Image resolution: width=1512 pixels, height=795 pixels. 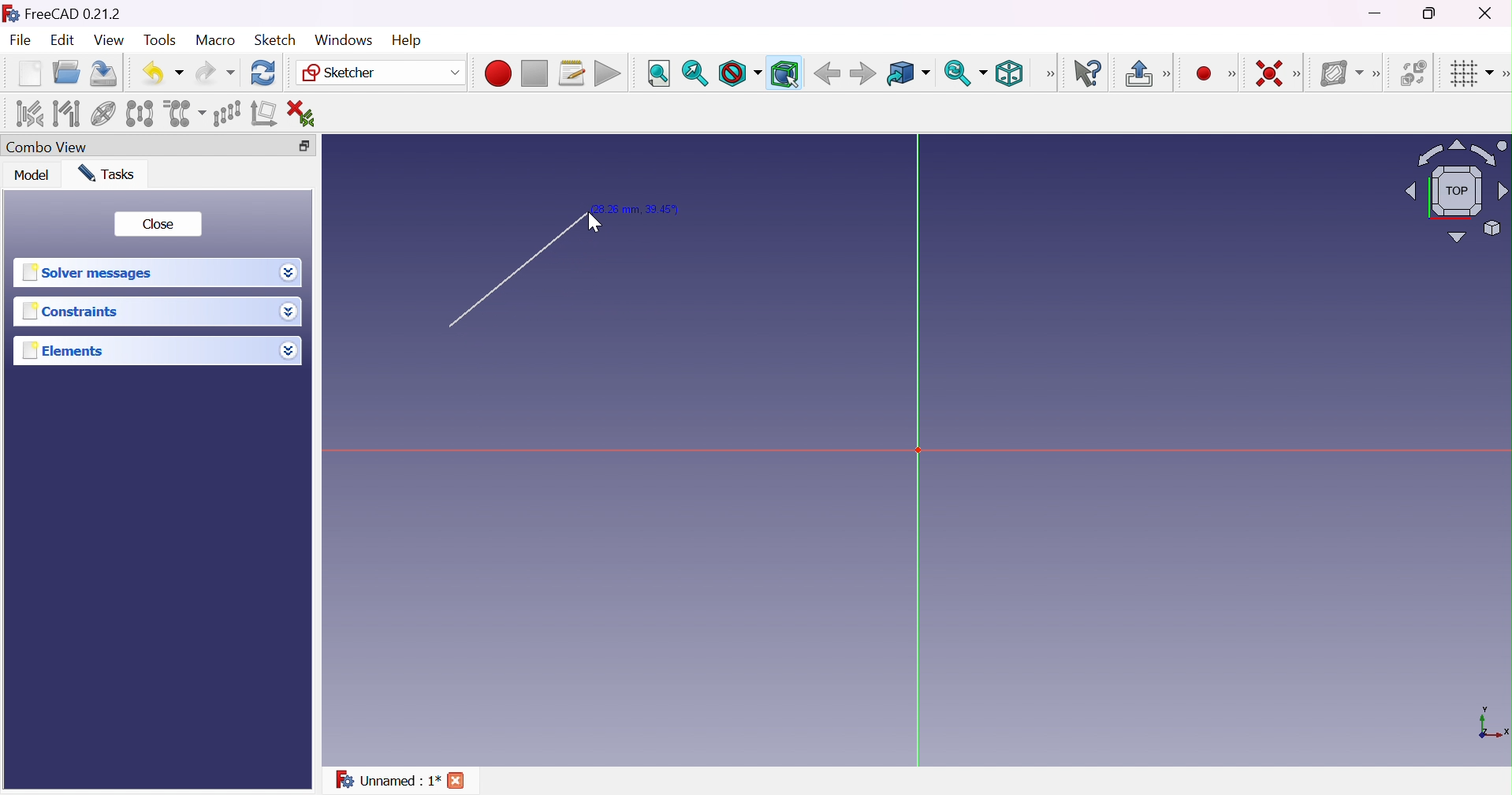 I want to click on Restore down, so click(x=1432, y=14).